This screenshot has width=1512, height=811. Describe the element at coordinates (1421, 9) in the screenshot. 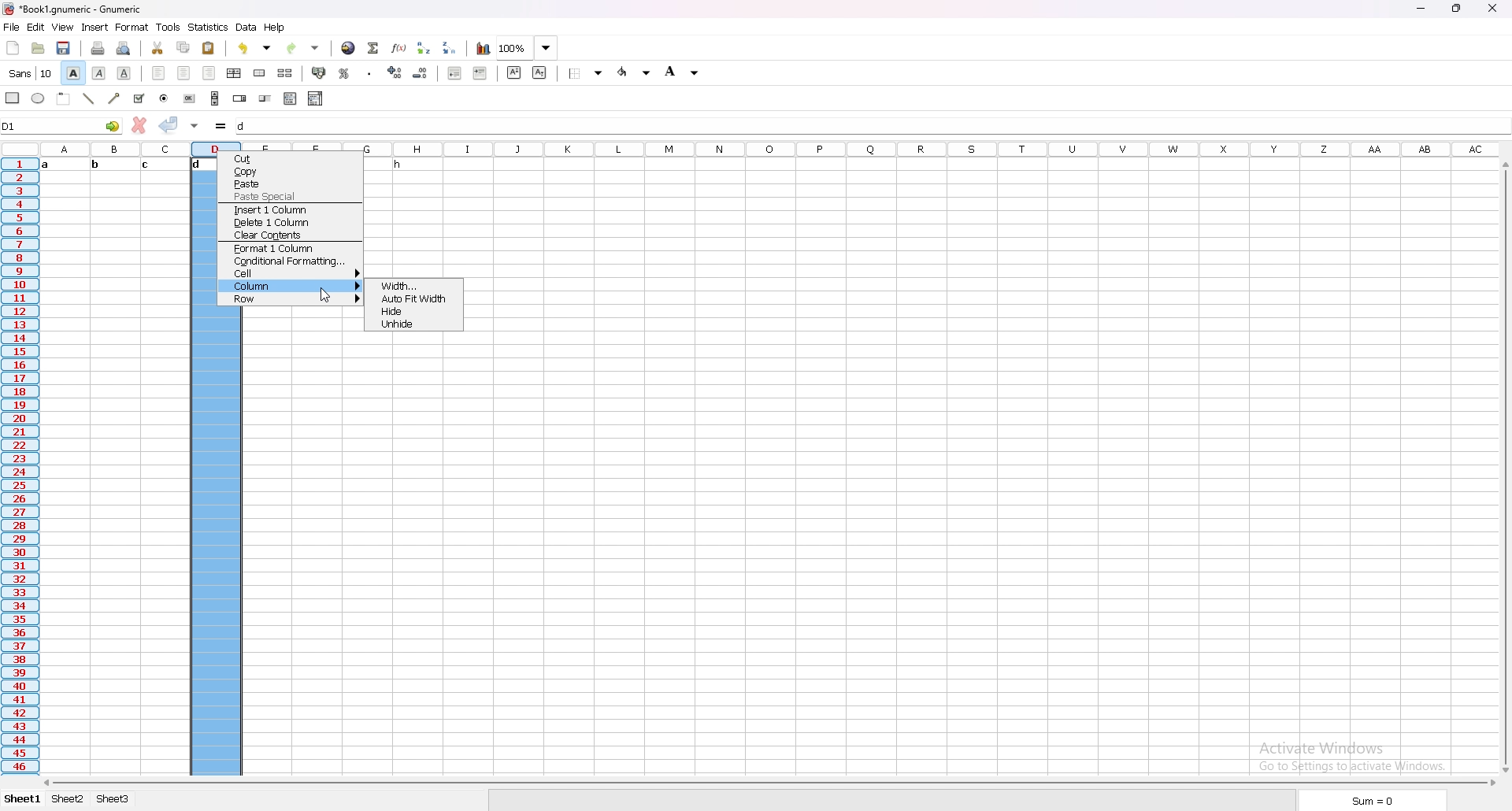

I see `minimize` at that location.